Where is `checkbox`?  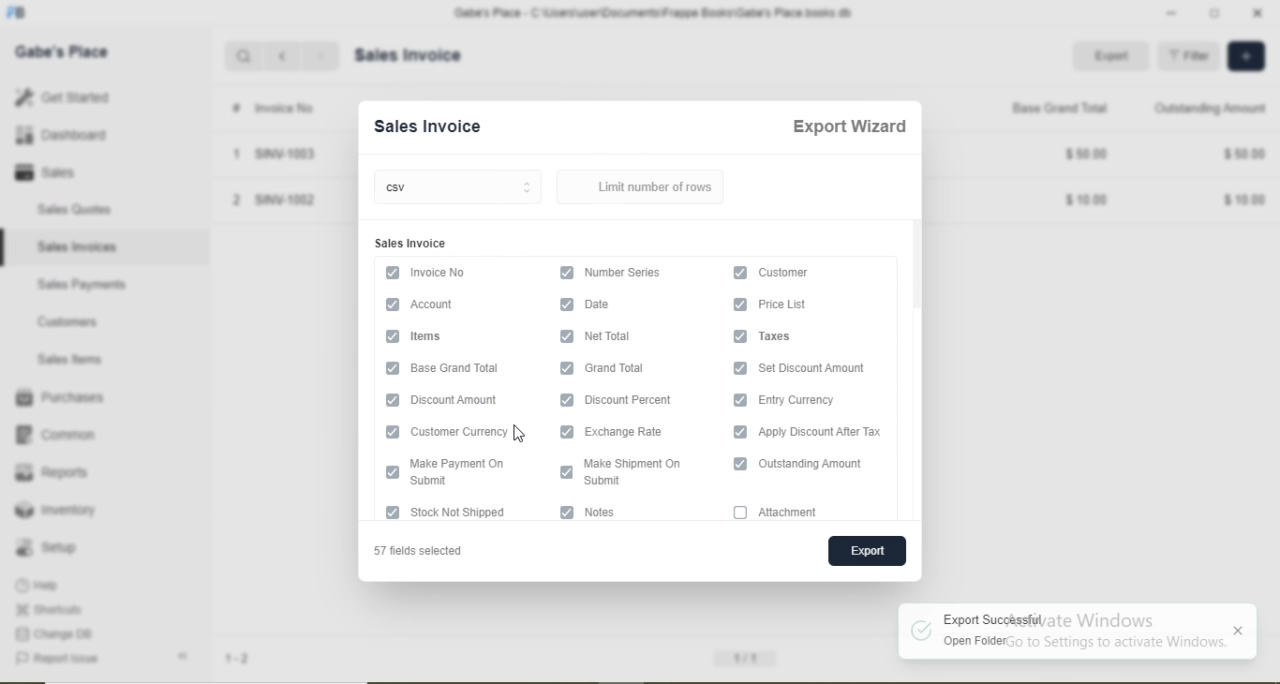
checkbox is located at coordinates (565, 400).